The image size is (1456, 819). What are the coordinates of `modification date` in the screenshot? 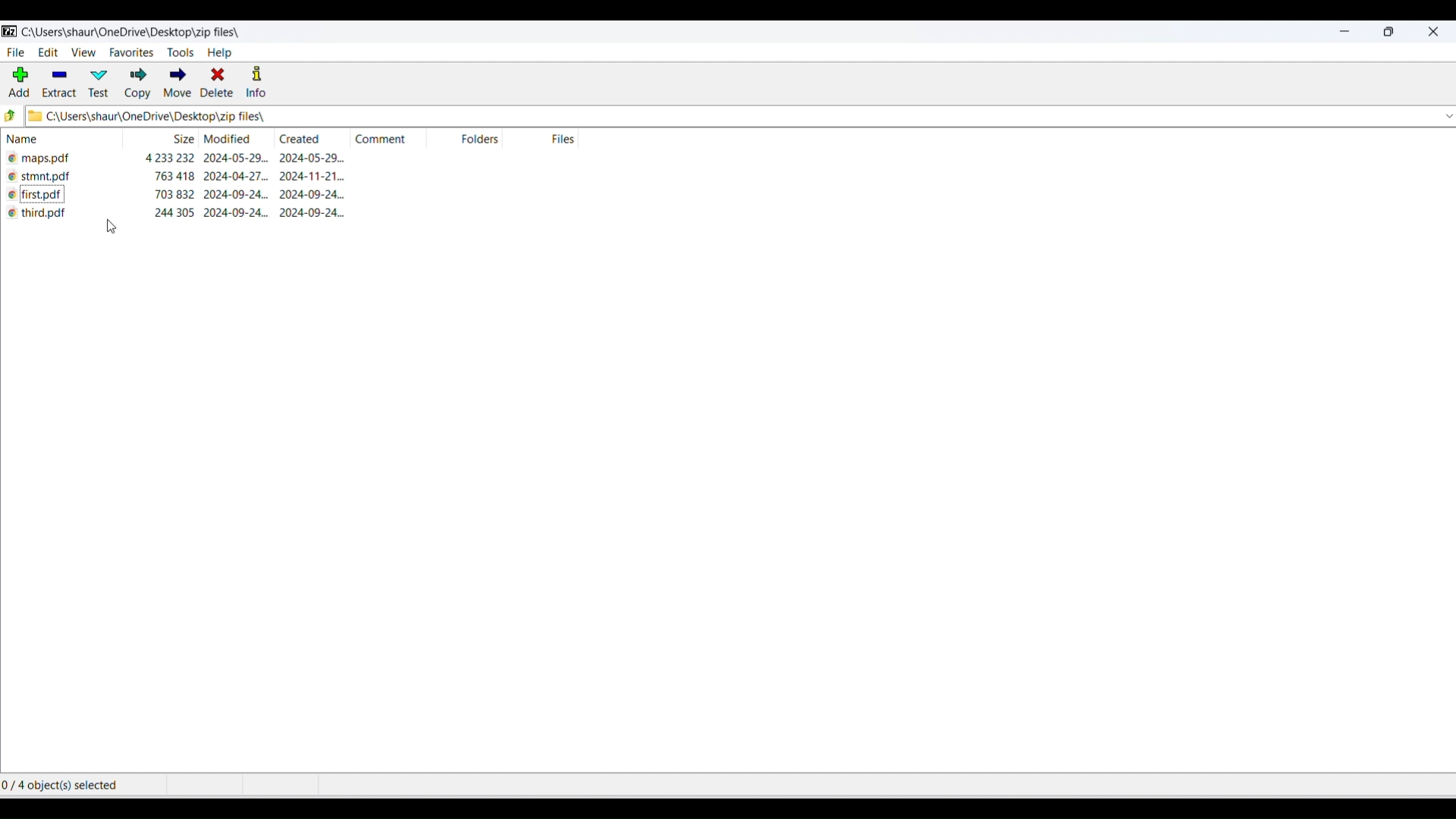 It's located at (236, 158).